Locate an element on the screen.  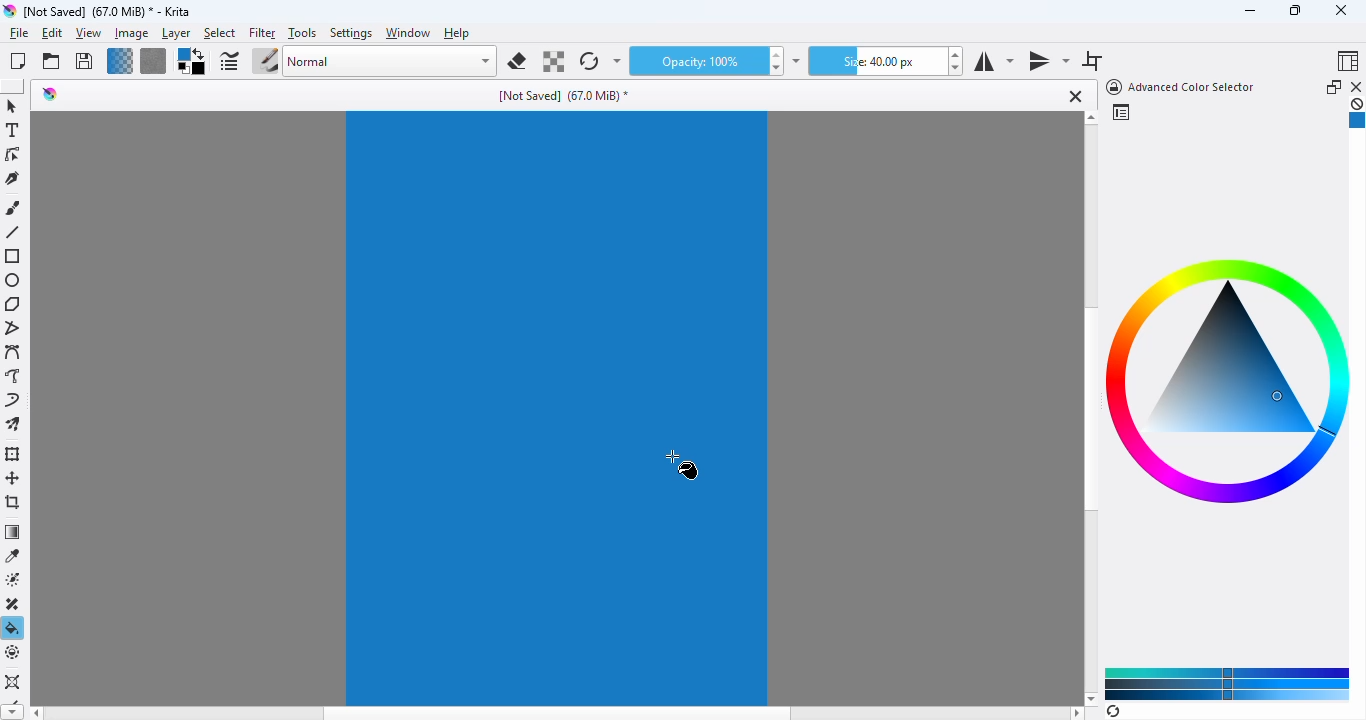
image is located at coordinates (132, 34).